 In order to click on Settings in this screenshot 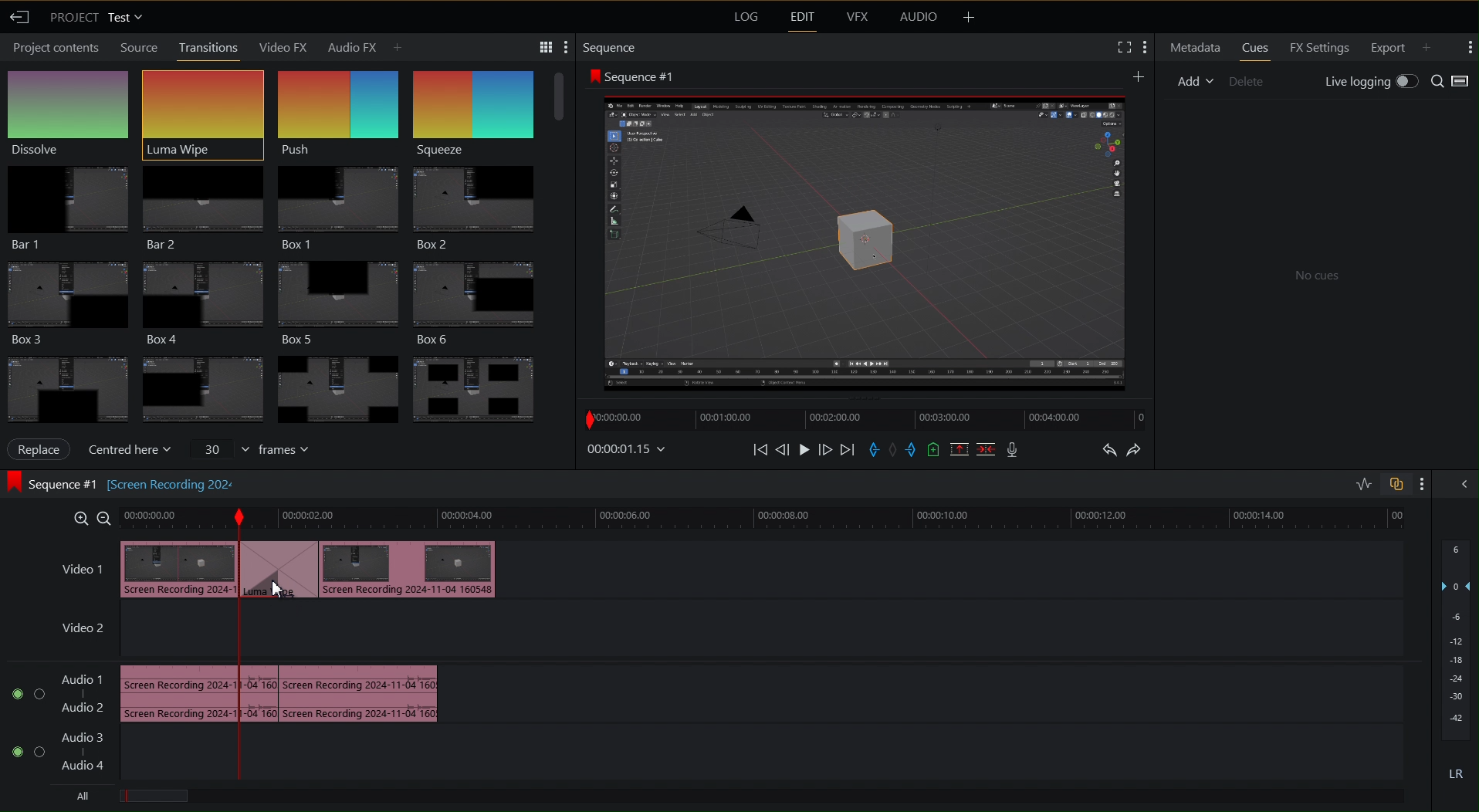, I will do `click(540, 46)`.